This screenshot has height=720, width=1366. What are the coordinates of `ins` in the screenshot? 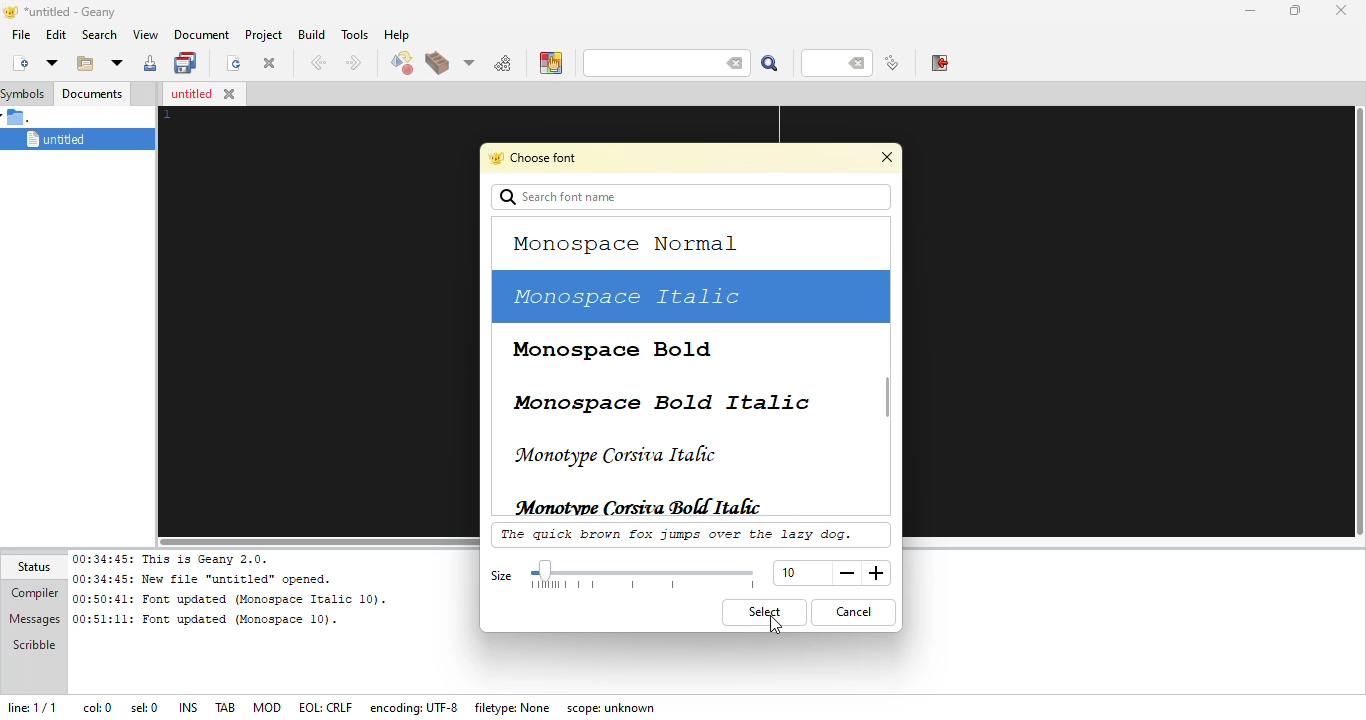 It's located at (188, 706).